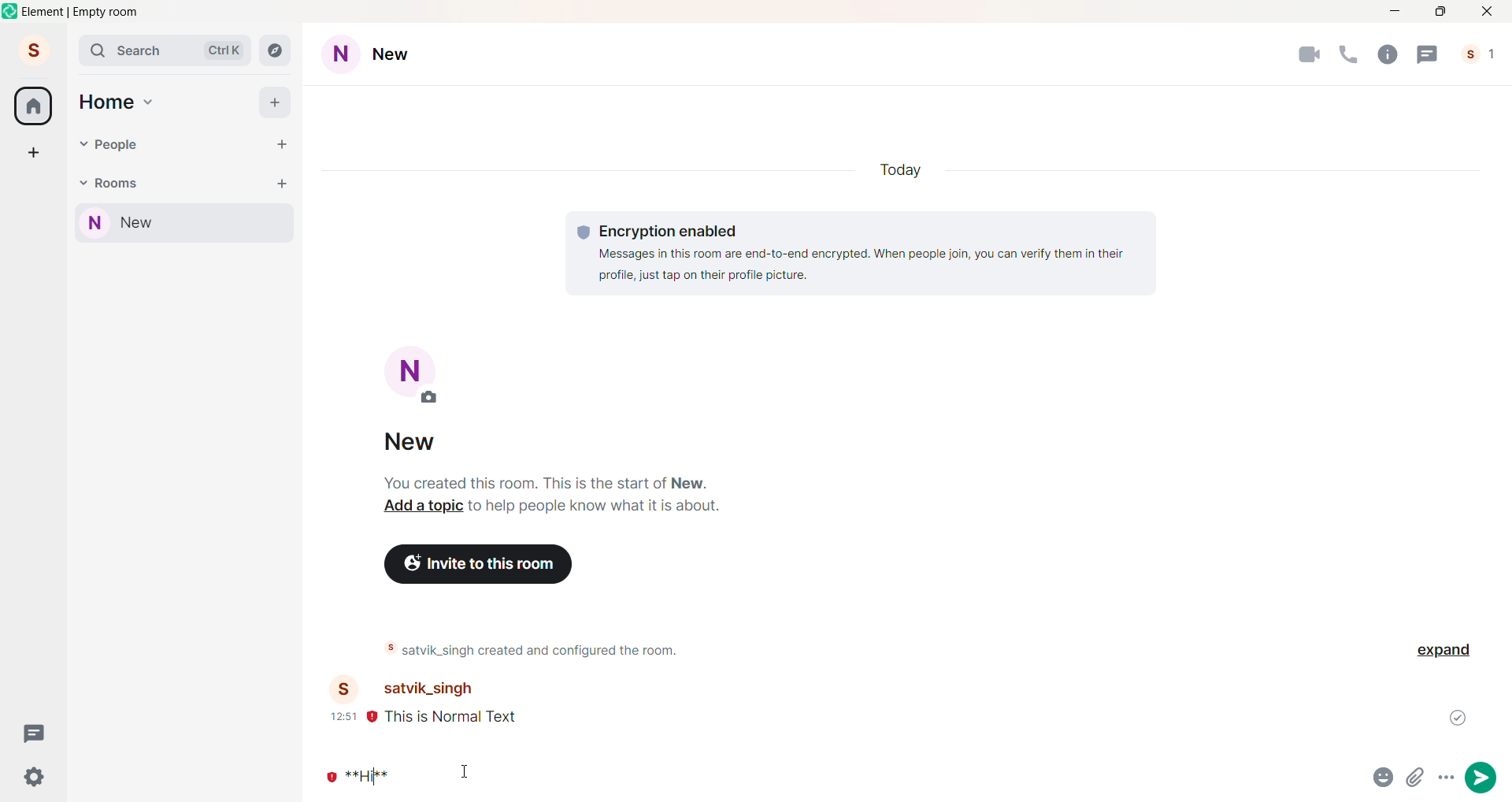 The width and height of the screenshot is (1512, 802). I want to click on Explore Rooms, so click(277, 52).